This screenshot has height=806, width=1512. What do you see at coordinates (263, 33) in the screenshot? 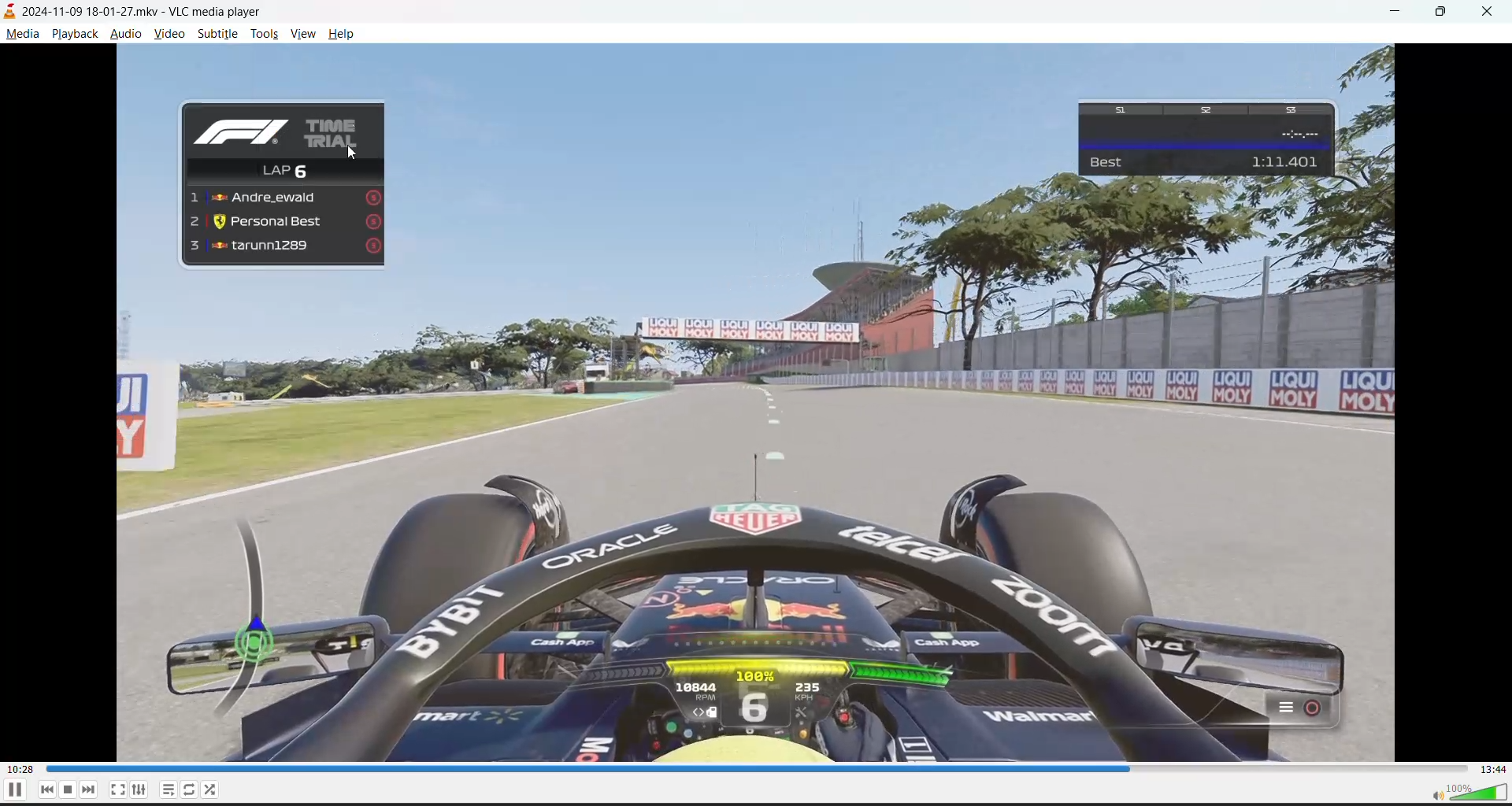
I see `tools` at bounding box center [263, 33].